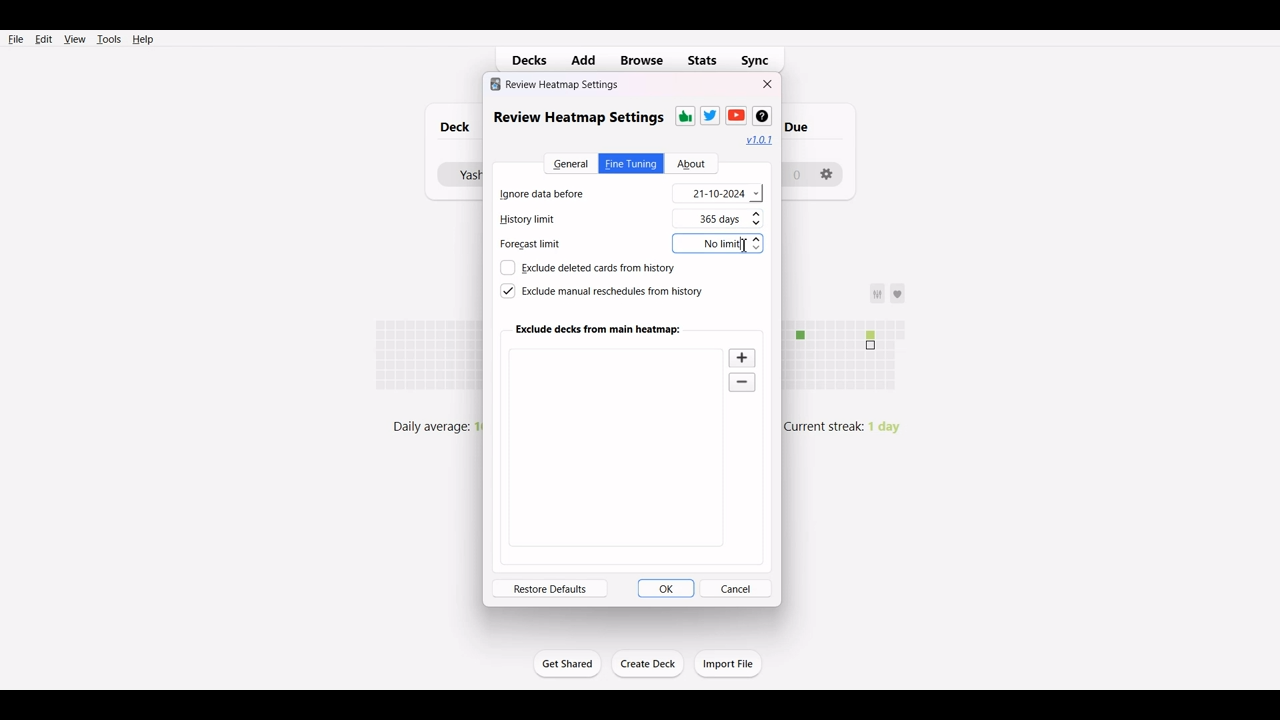  Describe the element at coordinates (744, 384) in the screenshot. I see `Zoom out` at that location.